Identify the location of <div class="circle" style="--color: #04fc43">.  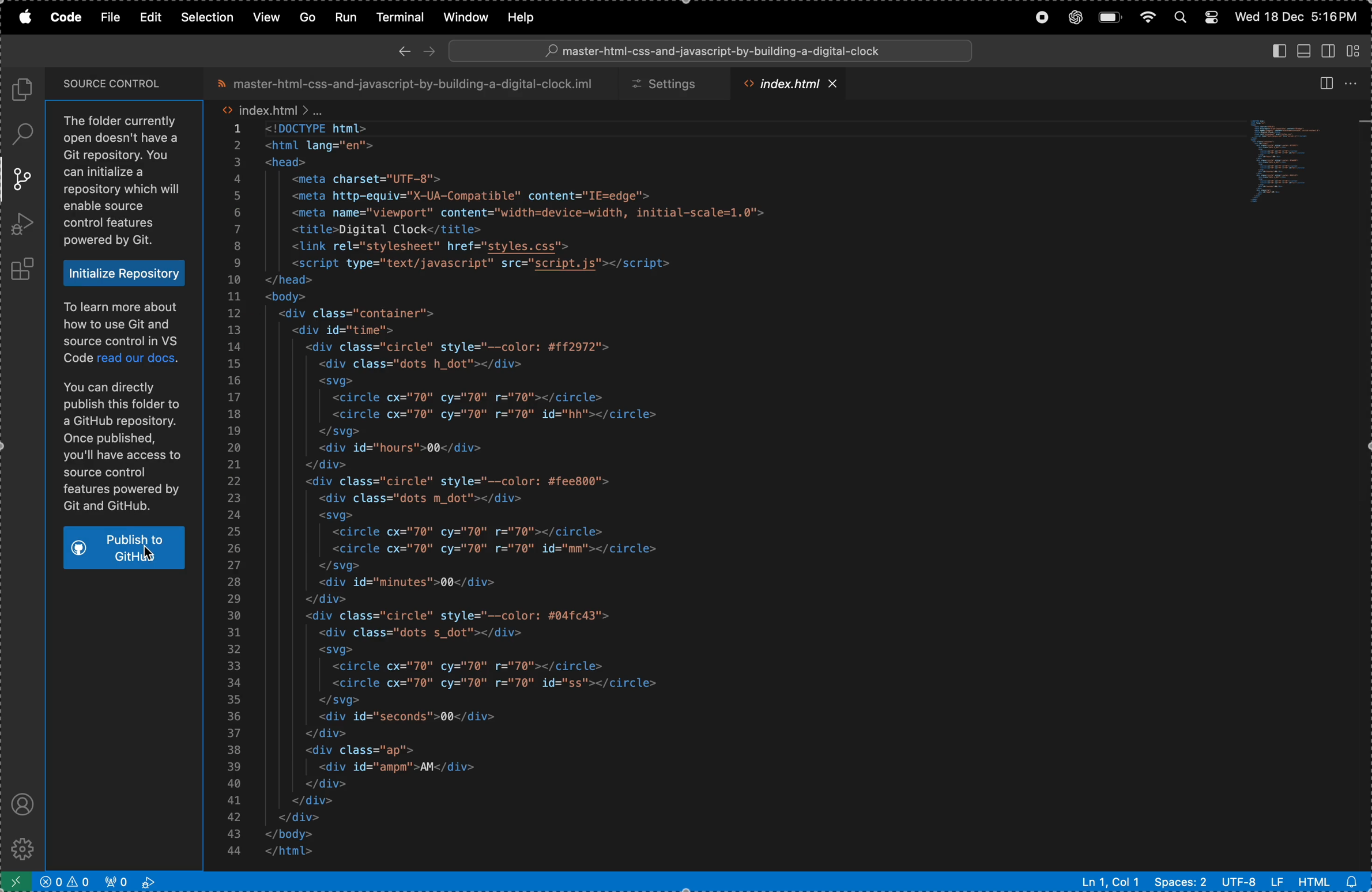
(462, 616).